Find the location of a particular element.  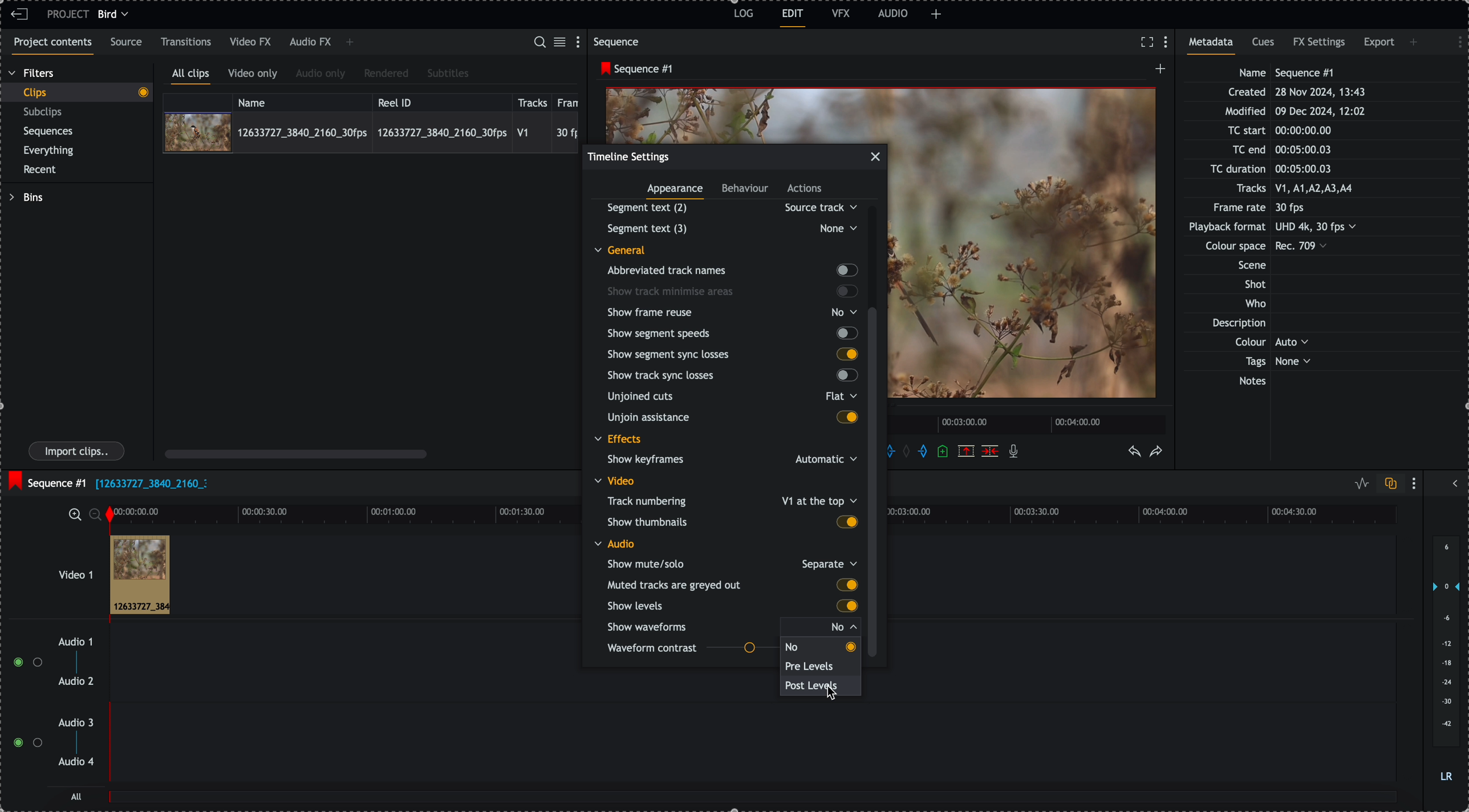

appearance is located at coordinates (677, 192).